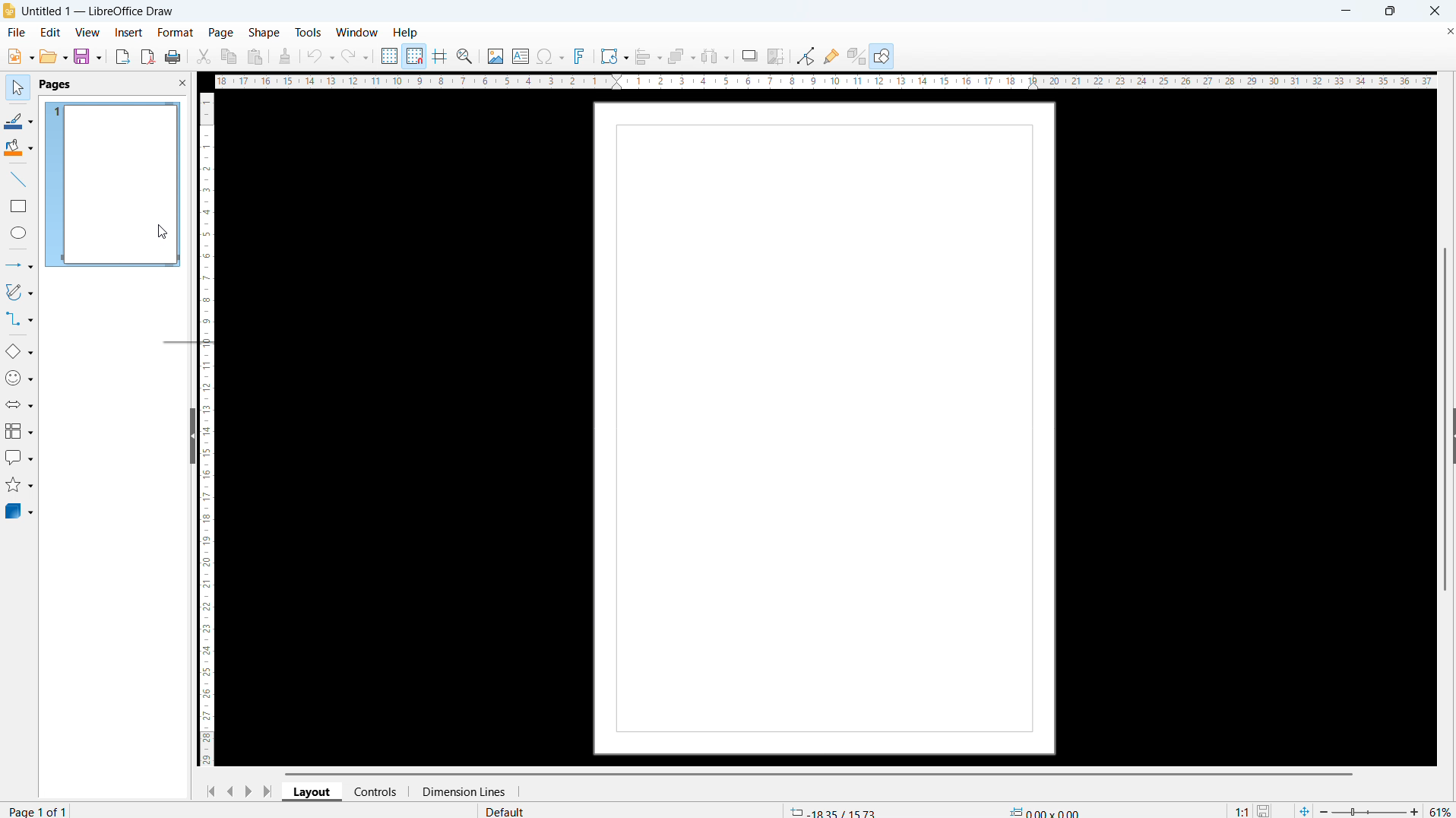 The height and width of the screenshot is (818, 1456). What do you see at coordinates (856, 55) in the screenshot?
I see `toggle extrusion` at bounding box center [856, 55].